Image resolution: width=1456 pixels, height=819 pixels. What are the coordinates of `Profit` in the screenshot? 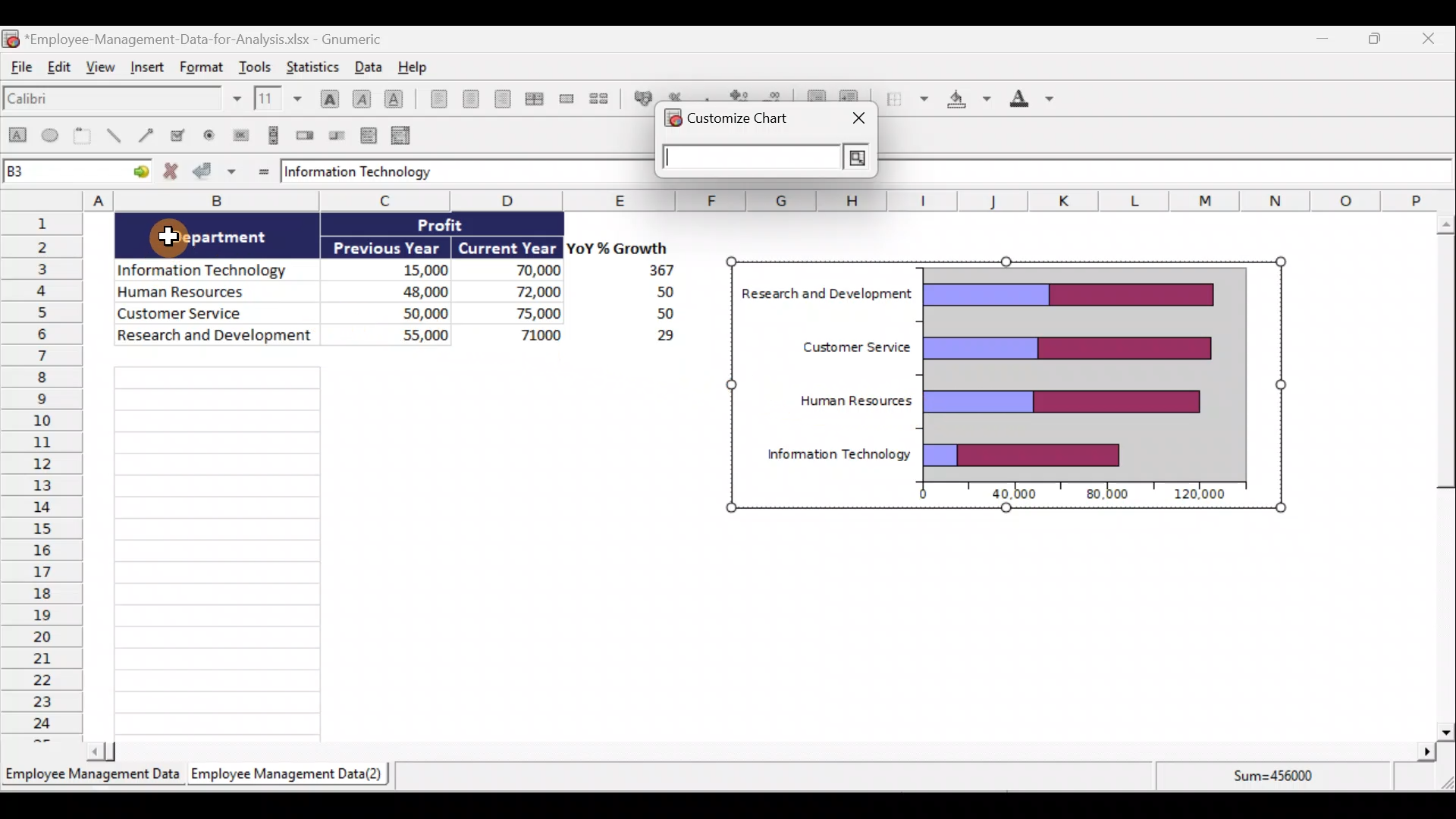 It's located at (453, 227).